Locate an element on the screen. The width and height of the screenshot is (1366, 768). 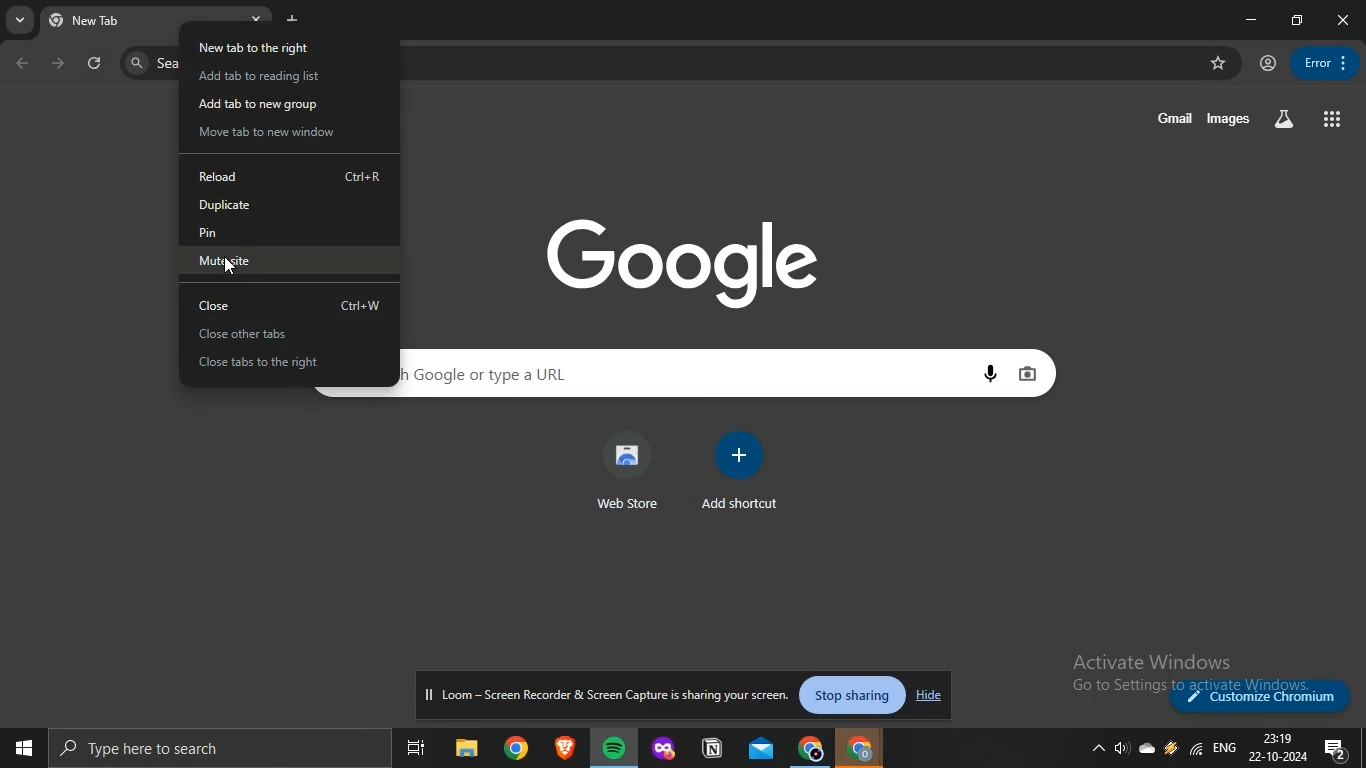
23:9 22-10-2024 is located at coordinates (1278, 748).